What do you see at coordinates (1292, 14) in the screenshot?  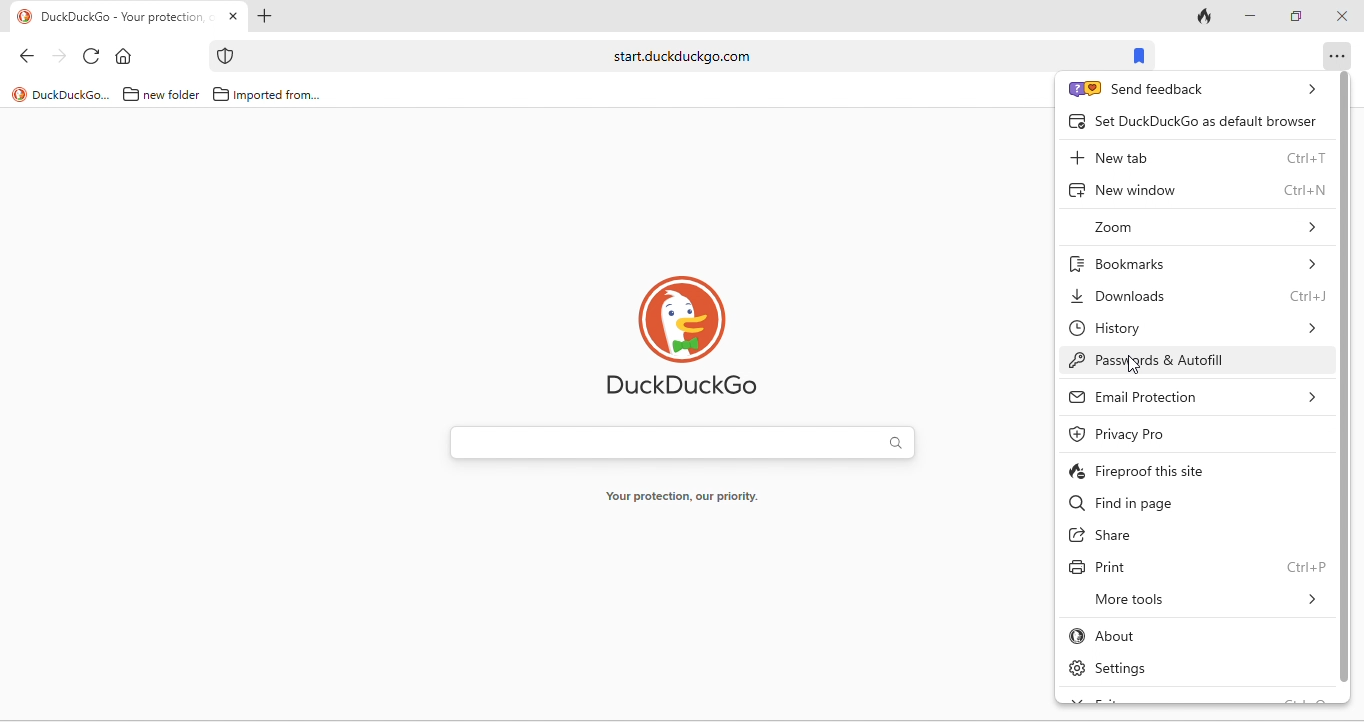 I see `maximize` at bounding box center [1292, 14].